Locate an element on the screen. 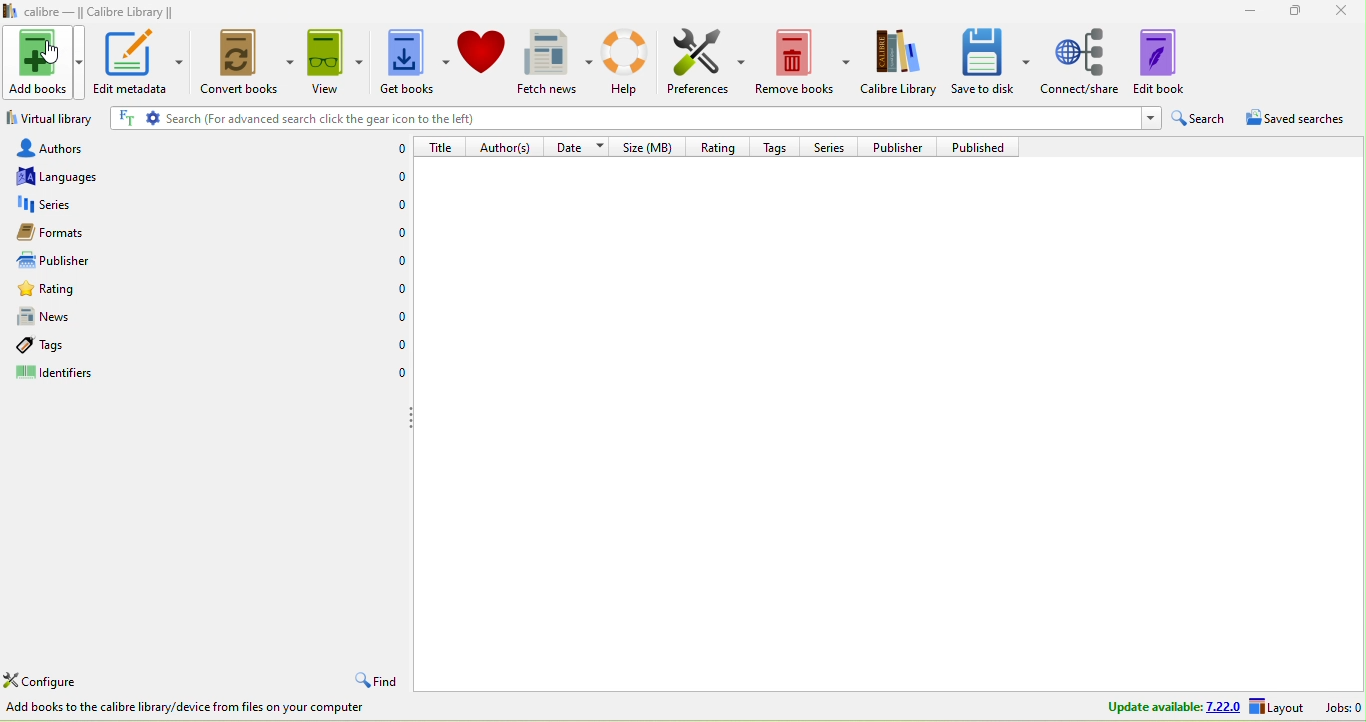 This screenshot has height=722, width=1366. configure is located at coordinates (47, 681).